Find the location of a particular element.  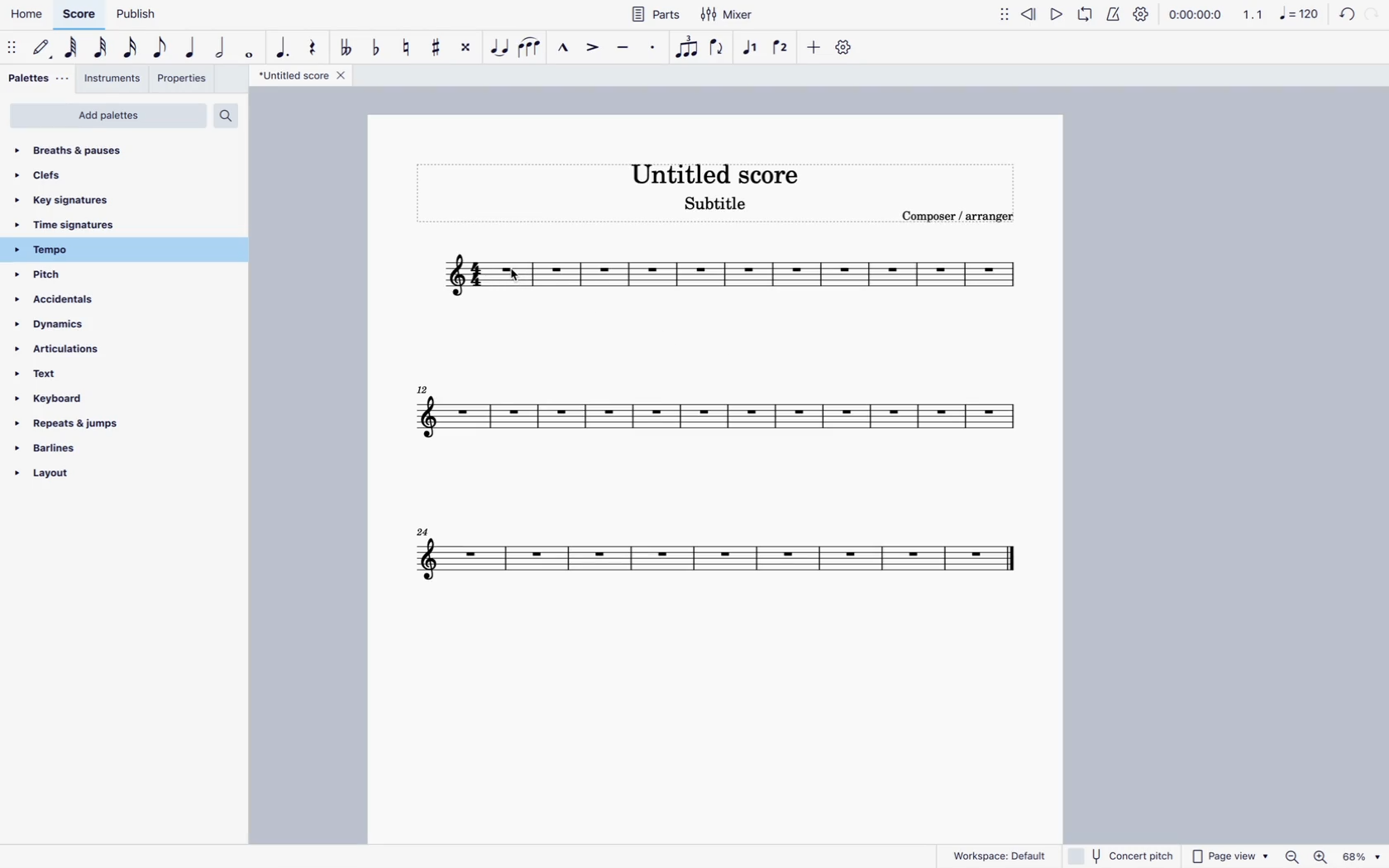

repeats & jumps is located at coordinates (81, 425).